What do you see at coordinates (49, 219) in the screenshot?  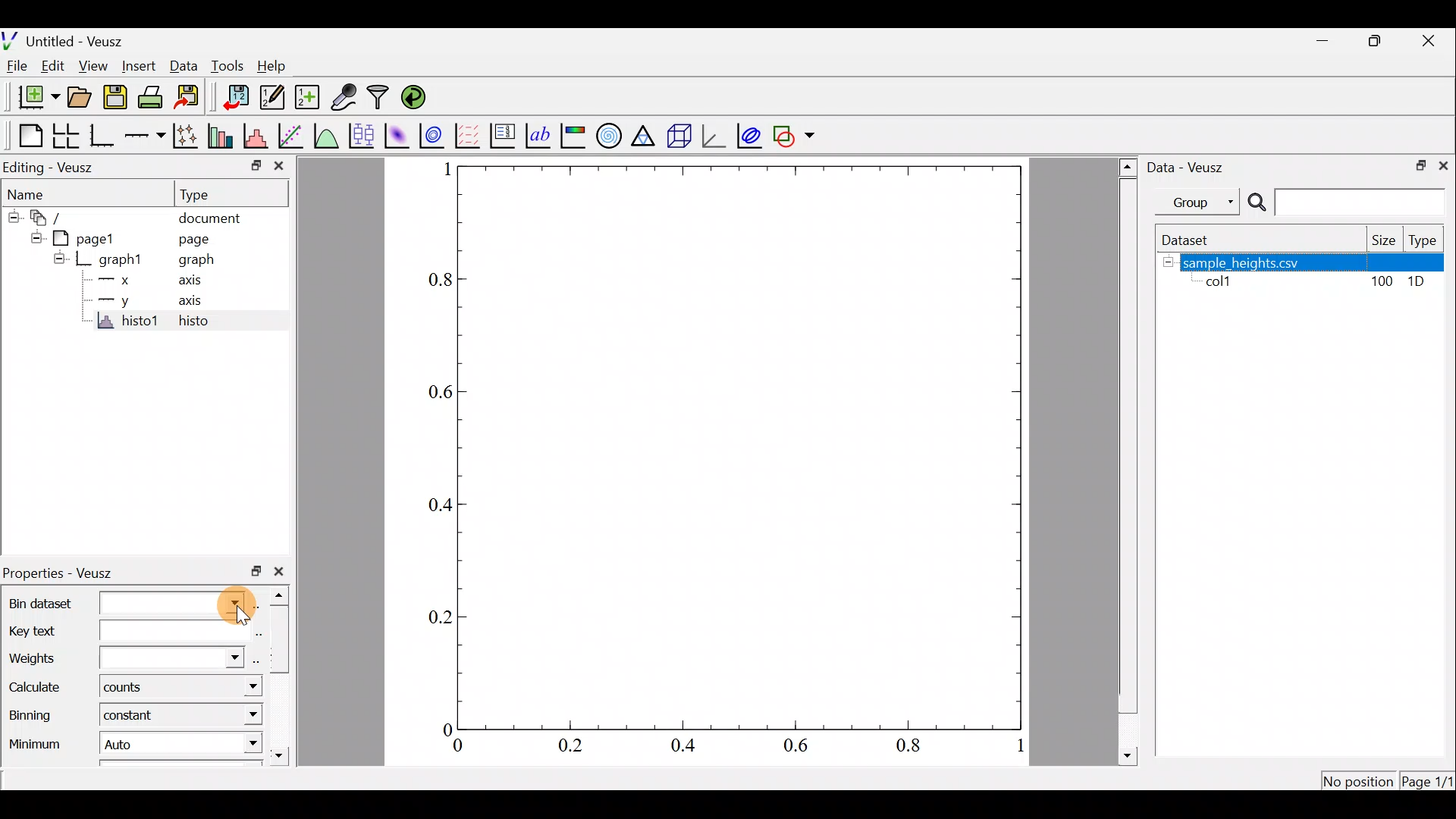 I see `document widget` at bounding box center [49, 219].